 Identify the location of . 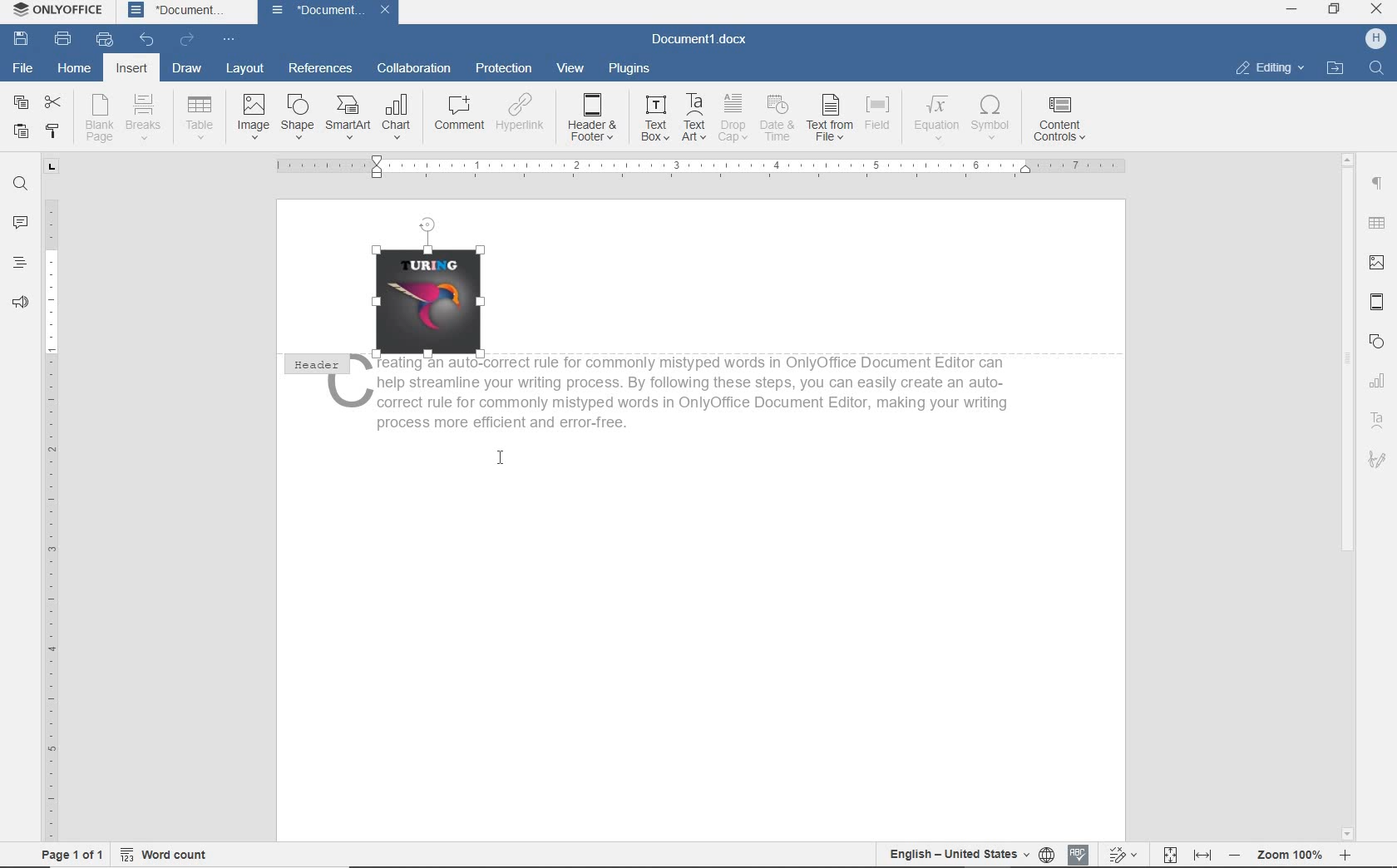
(878, 113).